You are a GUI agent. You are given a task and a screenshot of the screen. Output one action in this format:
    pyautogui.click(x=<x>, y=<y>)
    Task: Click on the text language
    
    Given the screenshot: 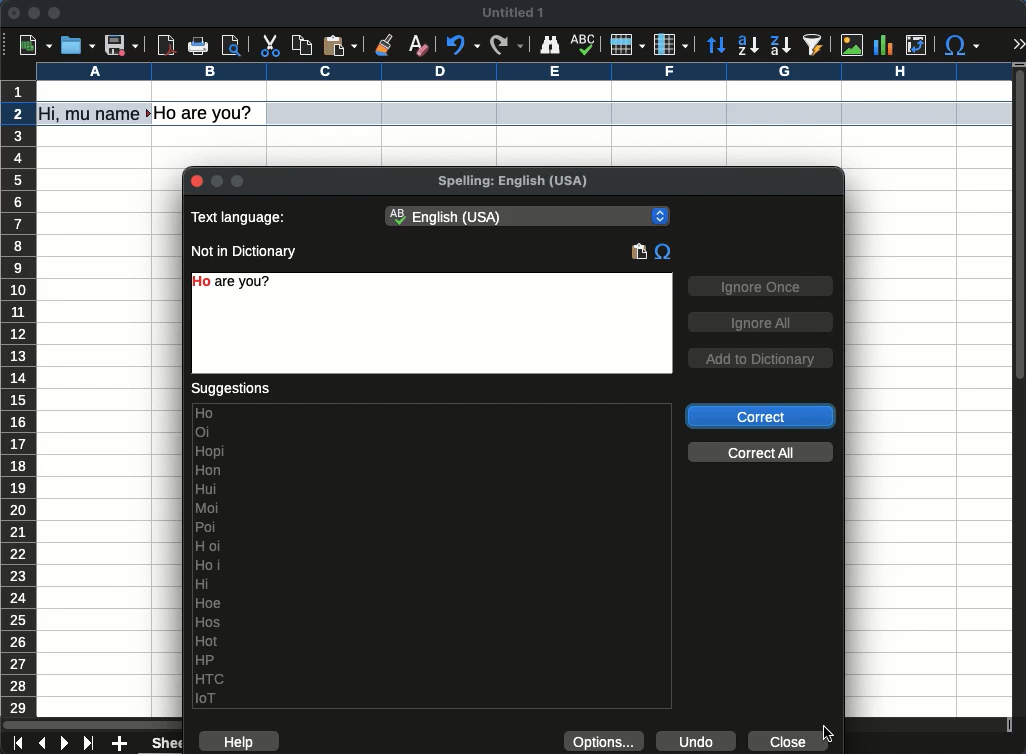 What is the action you would take?
    pyautogui.click(x=241, y=216)
    